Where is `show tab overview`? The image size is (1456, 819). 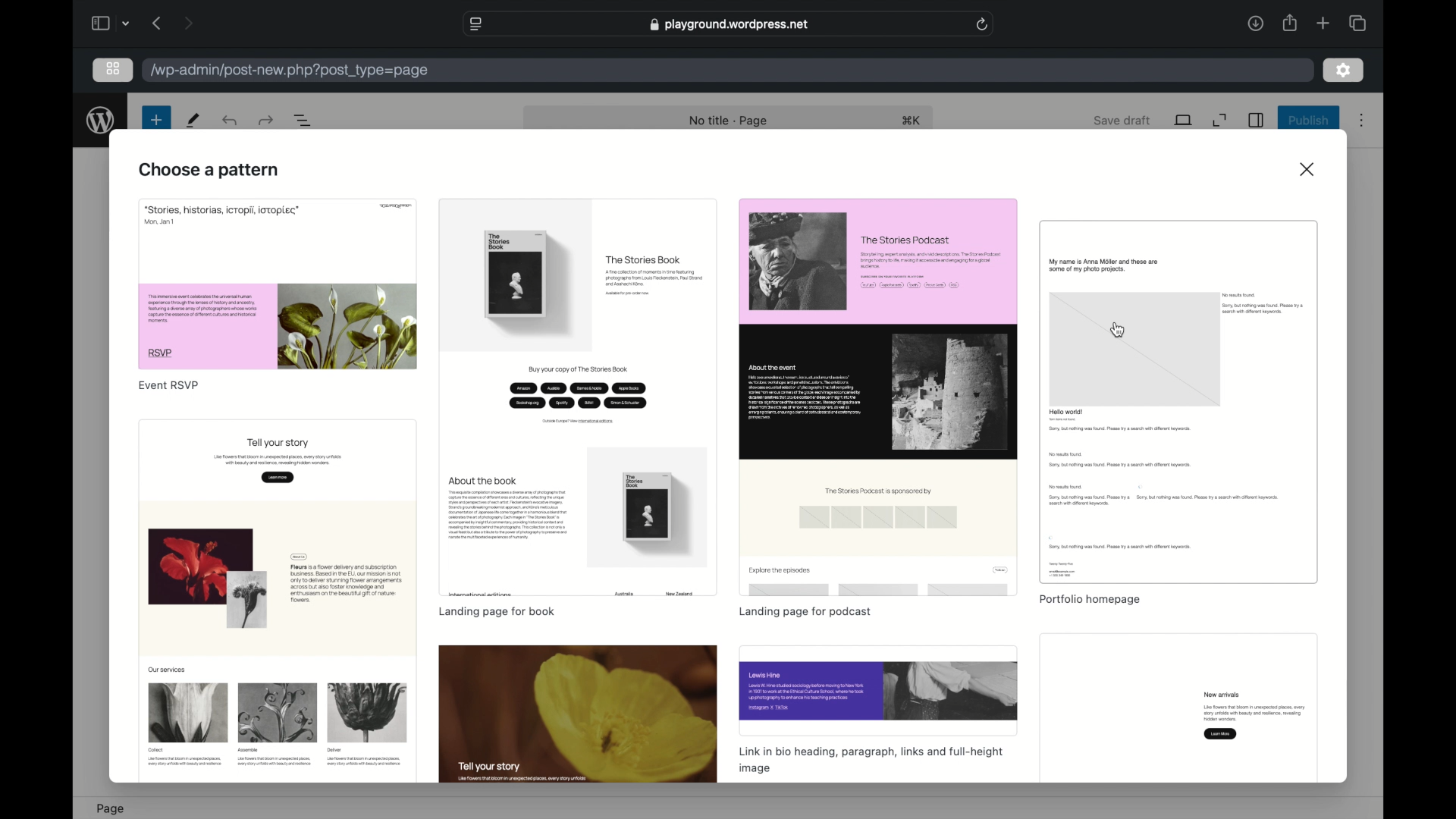 show tab overview is located at coordinates (1357, 23).